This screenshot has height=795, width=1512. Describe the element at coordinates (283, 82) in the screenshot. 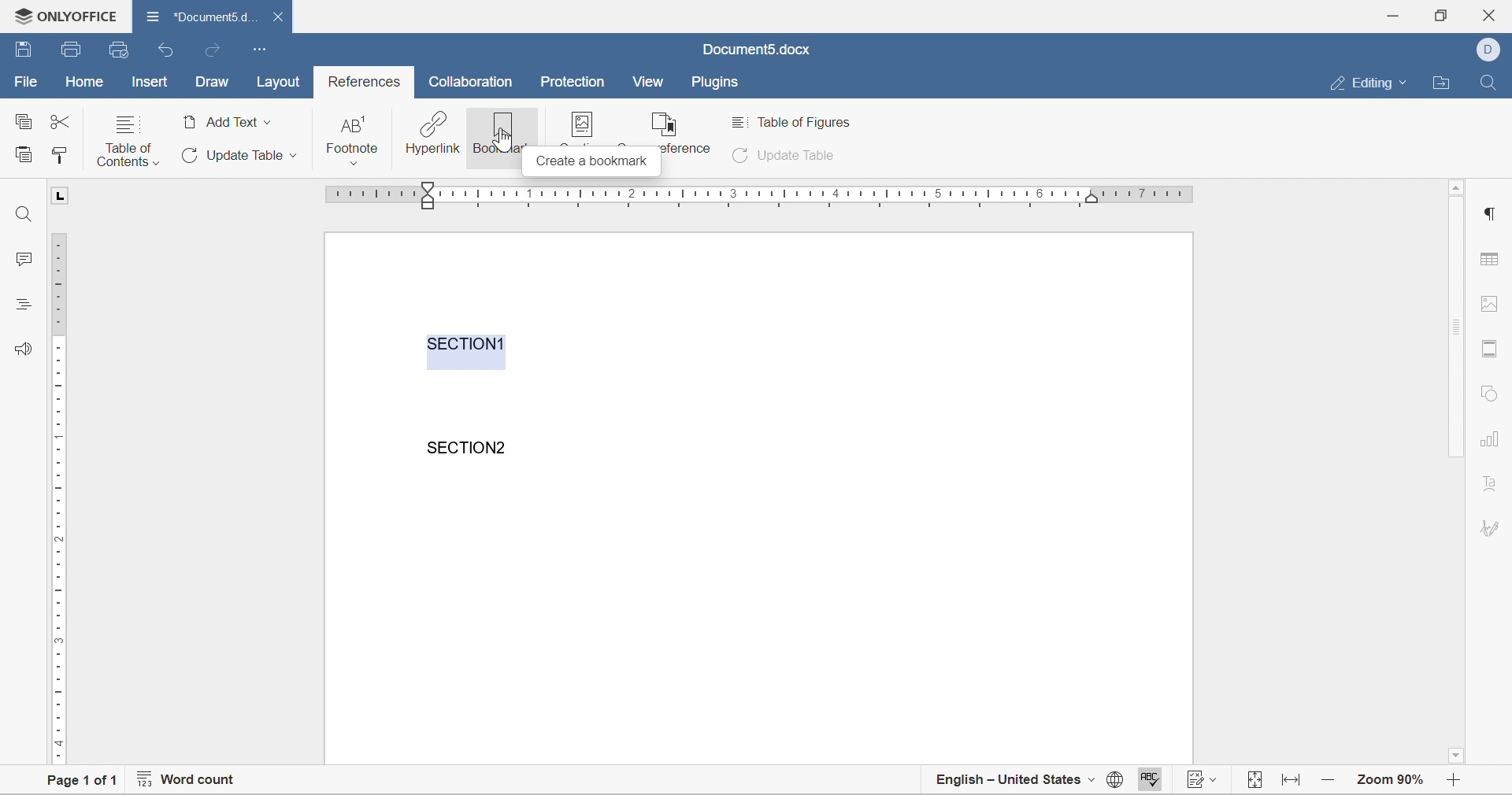

I see `layout` at that location.